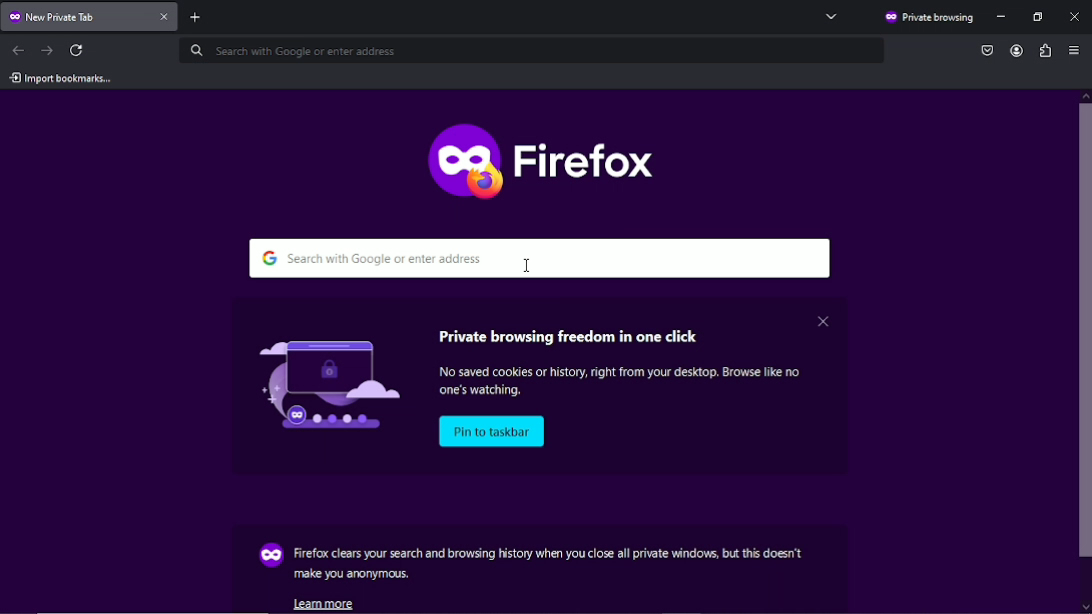 The height and width of the screenshot is (614, 1092). Describe the element at coordinates (543, 258) in the screenshot. I see `search with google or enter address` at that location.